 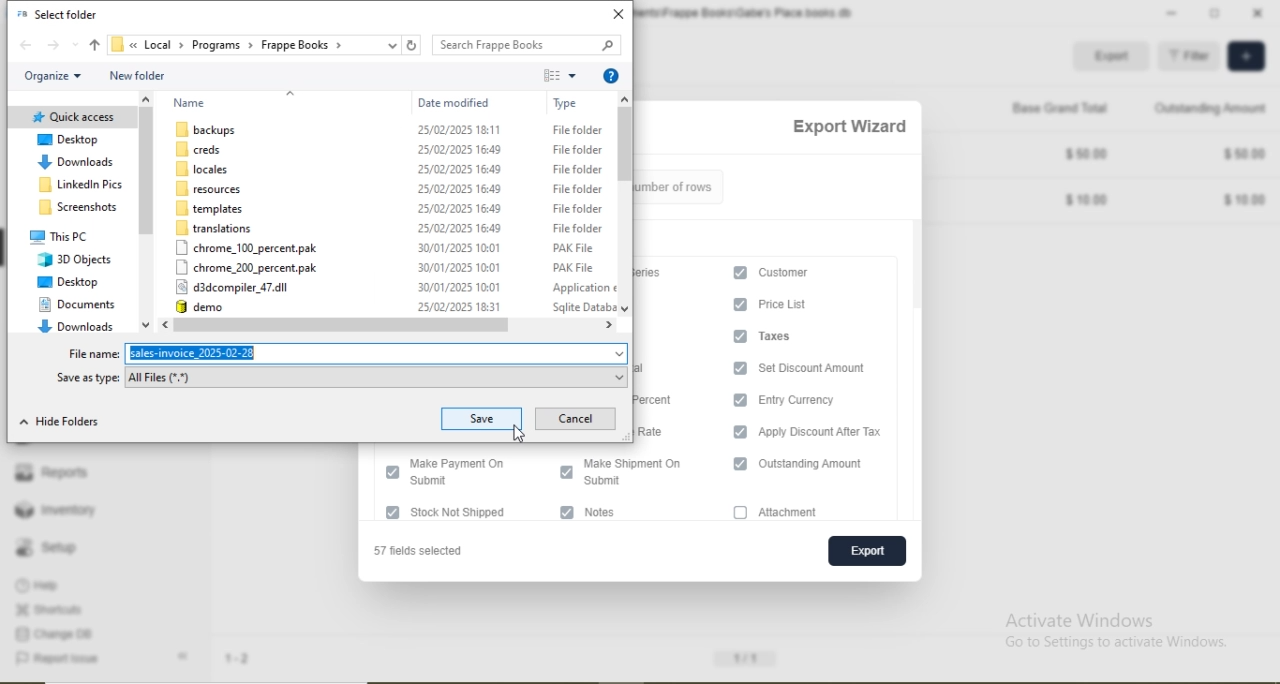 What do you see at coordinates (460, 305) in the screenshot?
I see `28/02/2025 18:31` at bounding box center [460, 305].